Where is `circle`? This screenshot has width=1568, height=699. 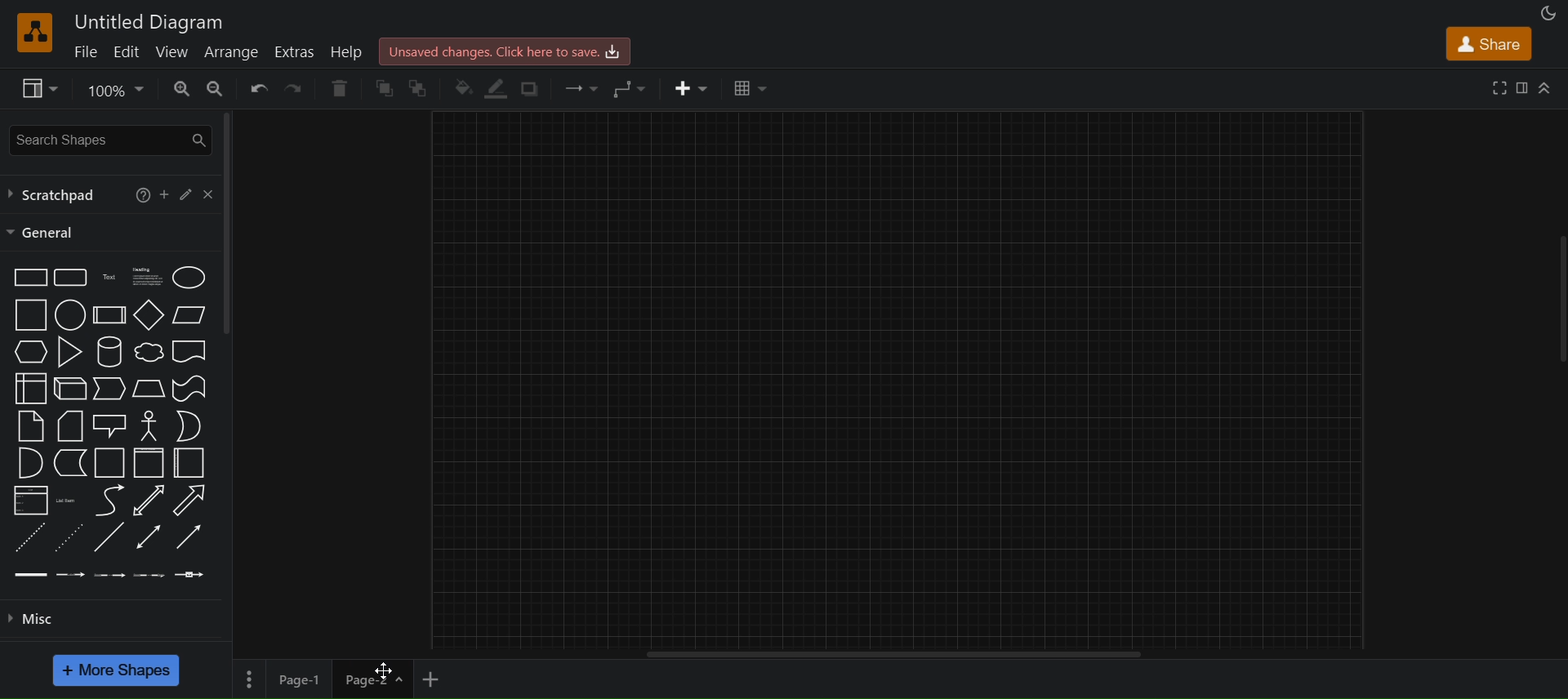
circle is located at coordinates (69, 315).